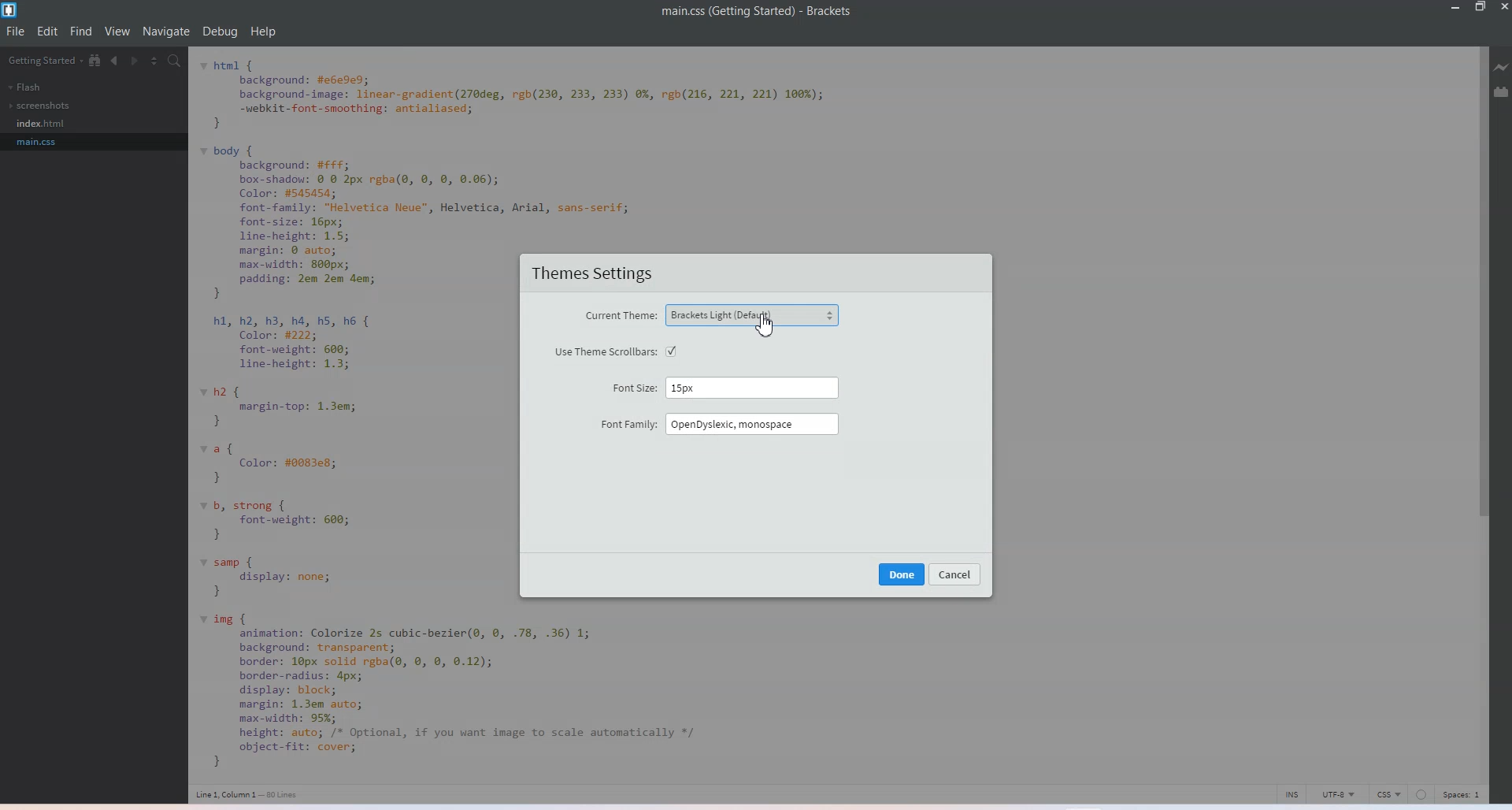  What do you see at coordinates (710, 316) in the screenshot?
I see `Current Theme` at bounding box center [710, 316].